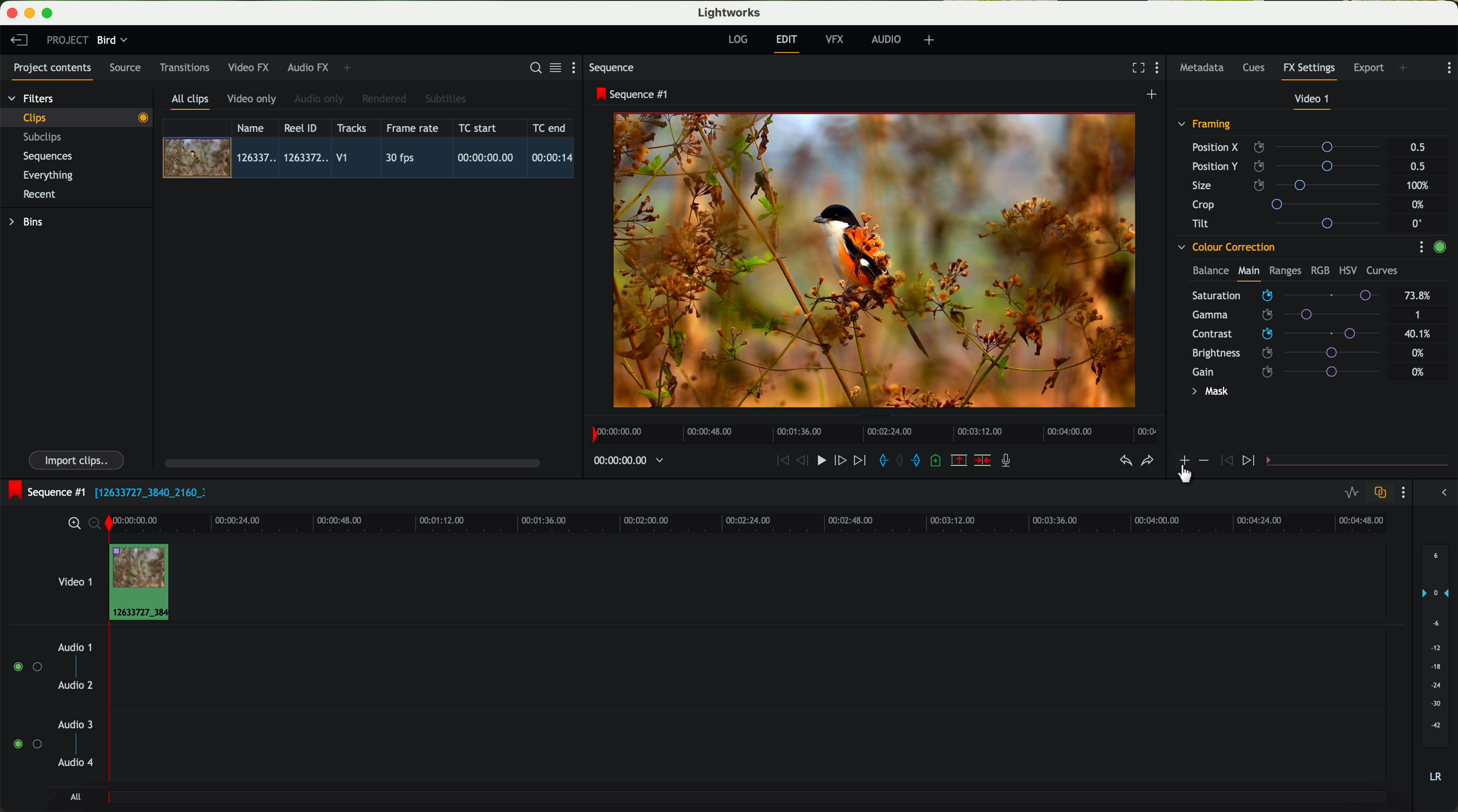  What do you see at coordinates (45, 138) in the screenshot?
I see `subclips` at bounding box center [45, 138].